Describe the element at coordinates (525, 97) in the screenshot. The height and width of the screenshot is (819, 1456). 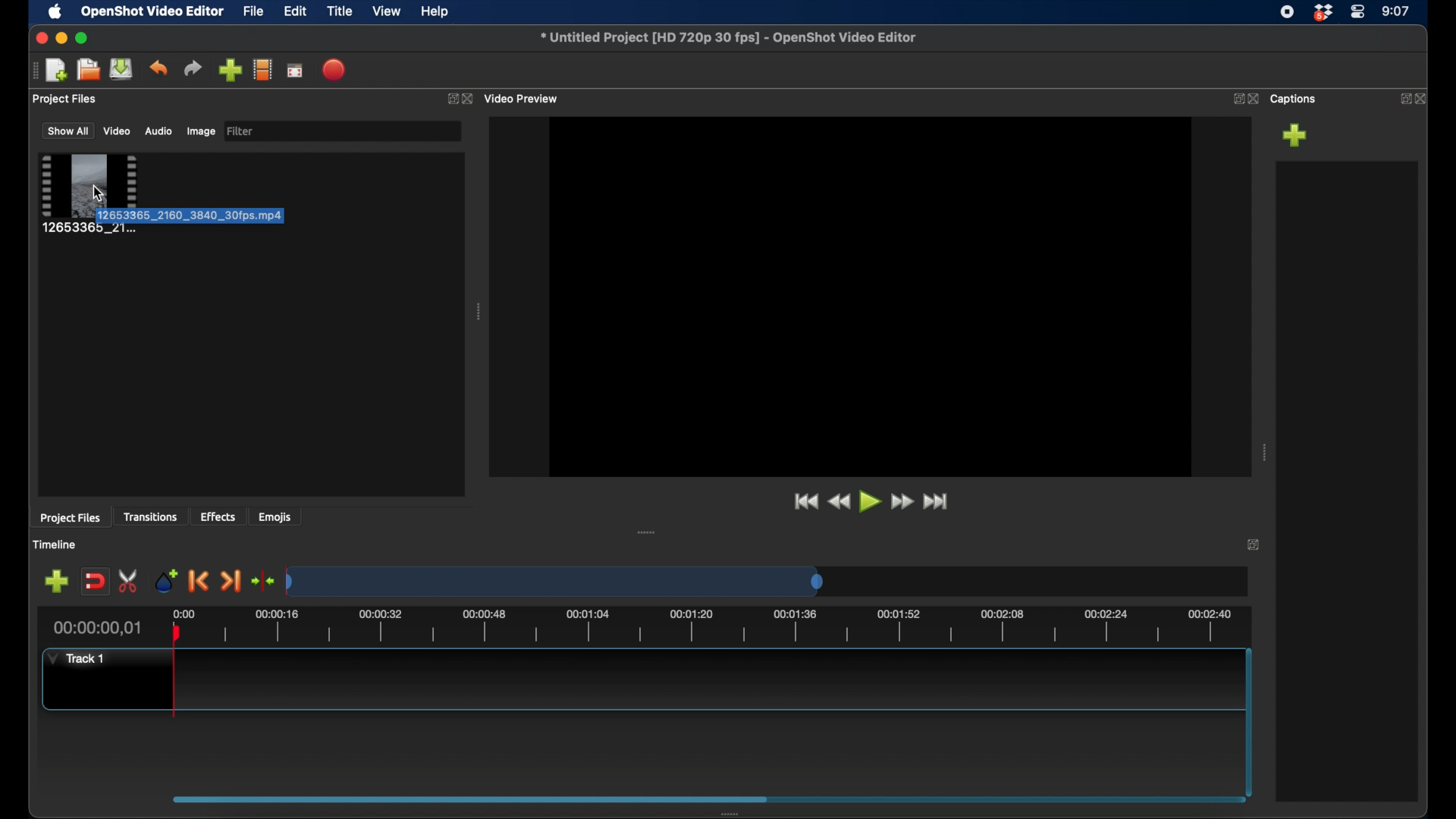
I see `video preview` at that location.